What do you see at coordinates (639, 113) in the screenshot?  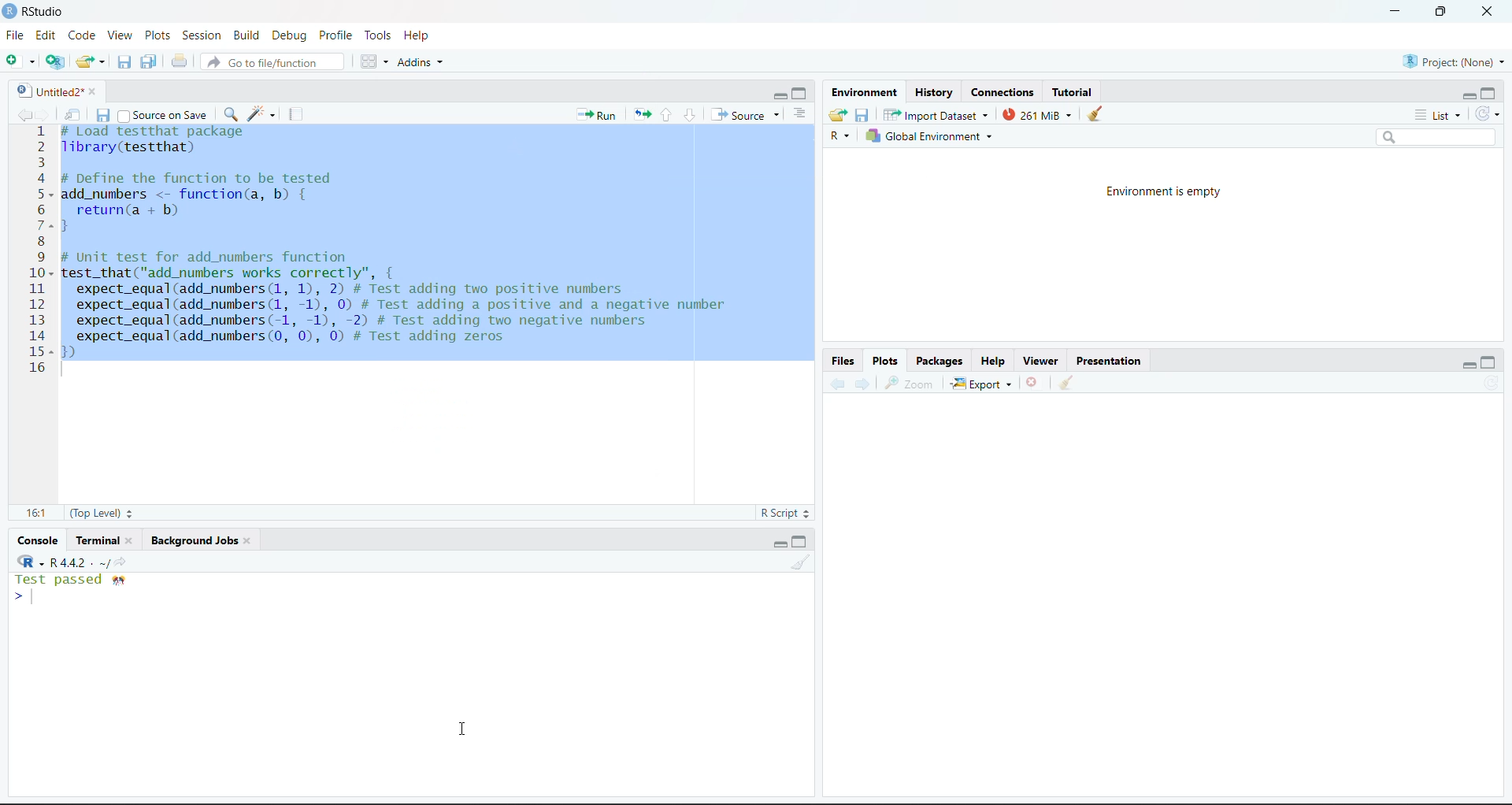 I see `Re-run the previous code` at bounding box center [639, 113].